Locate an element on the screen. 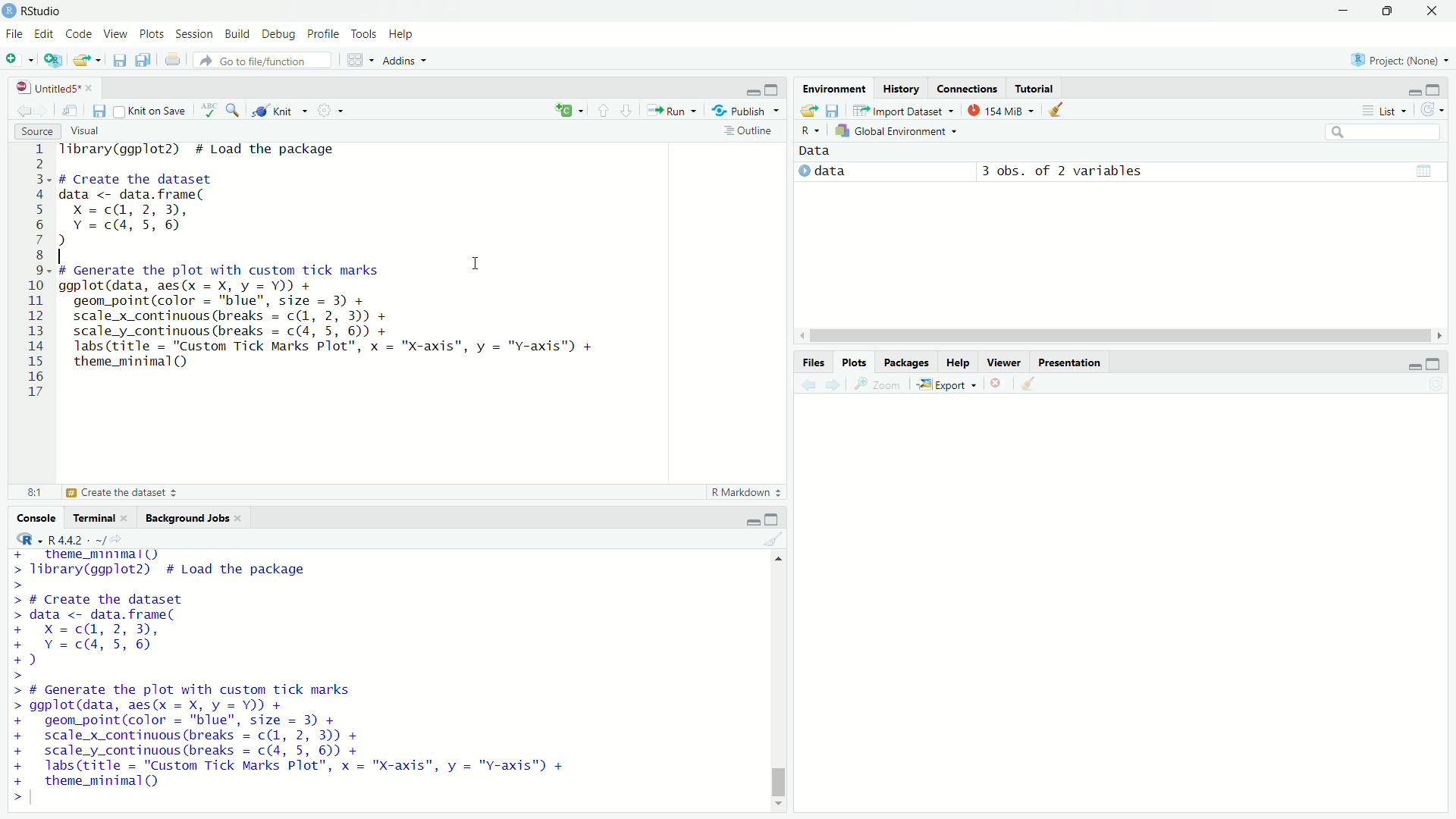 The width and height of the screenshot is (1456, 819). maximize is located at coordinates (773, 89).